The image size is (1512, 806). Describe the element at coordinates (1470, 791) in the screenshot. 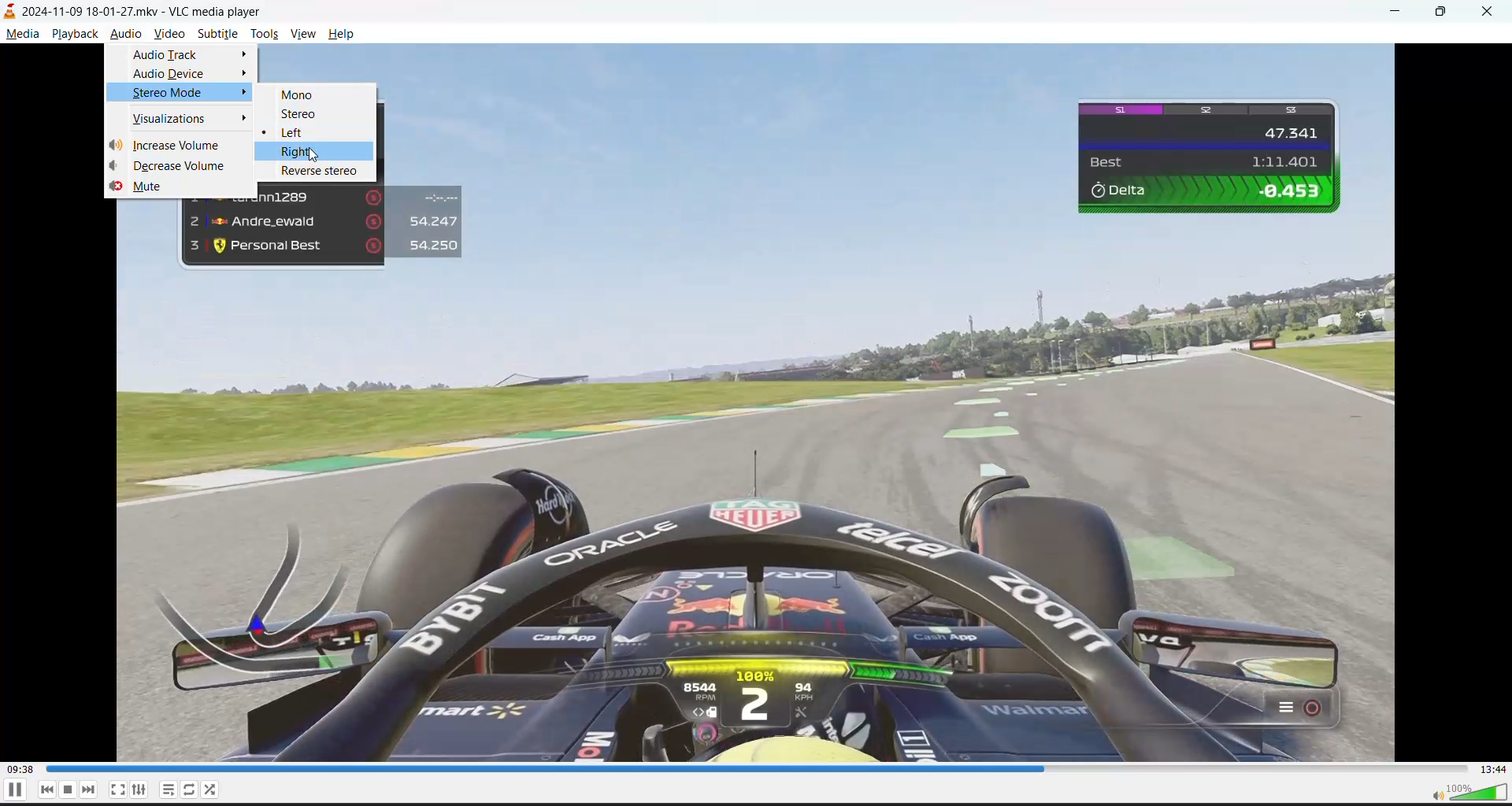

I see `volume` at that location.